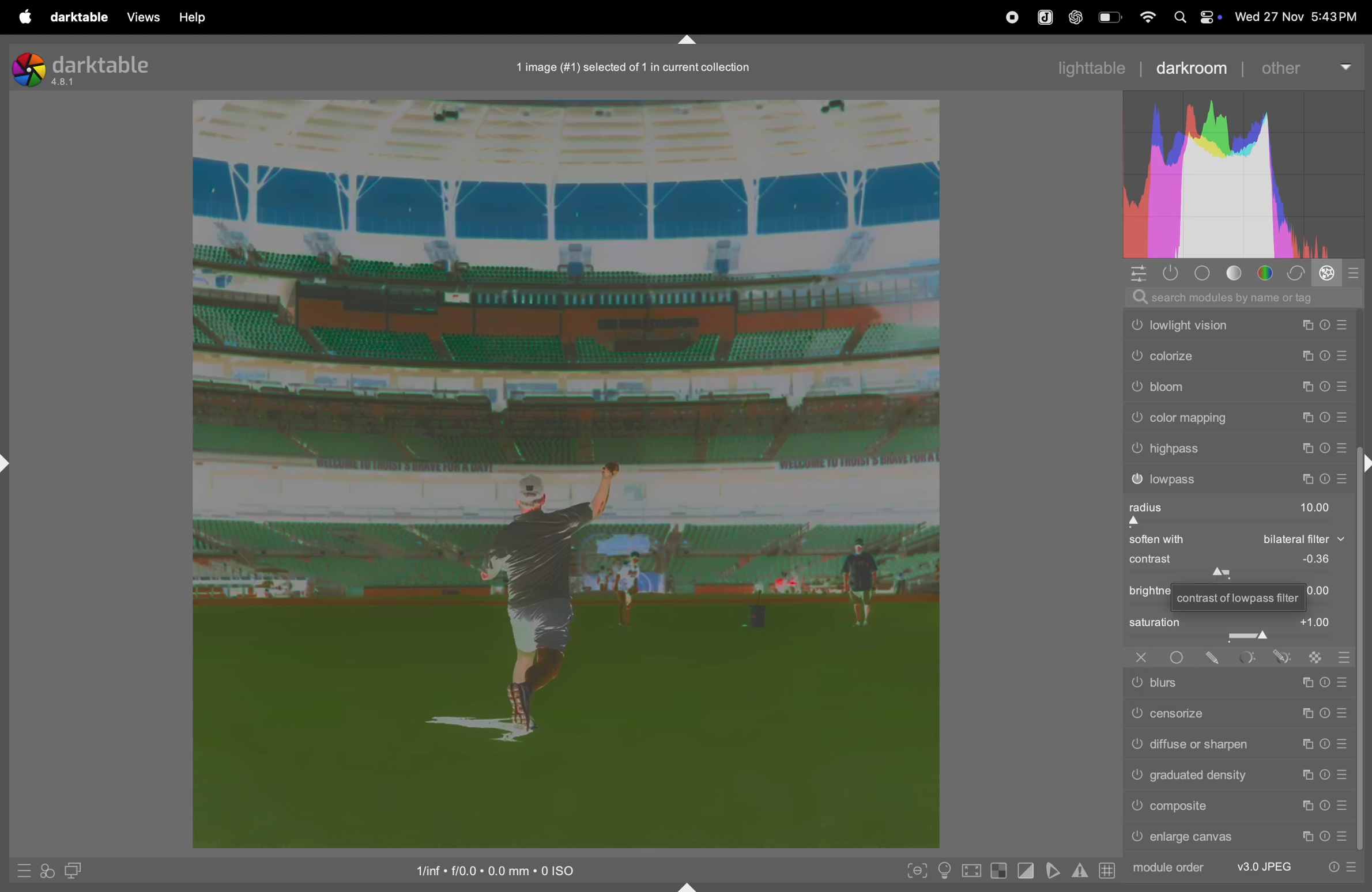 The height and width of the screenshot is (892, 1372). What do you see at coordinates (1074, 18) in the screenshot?
I see `chatgpt` at bounding box center [1074, 18].